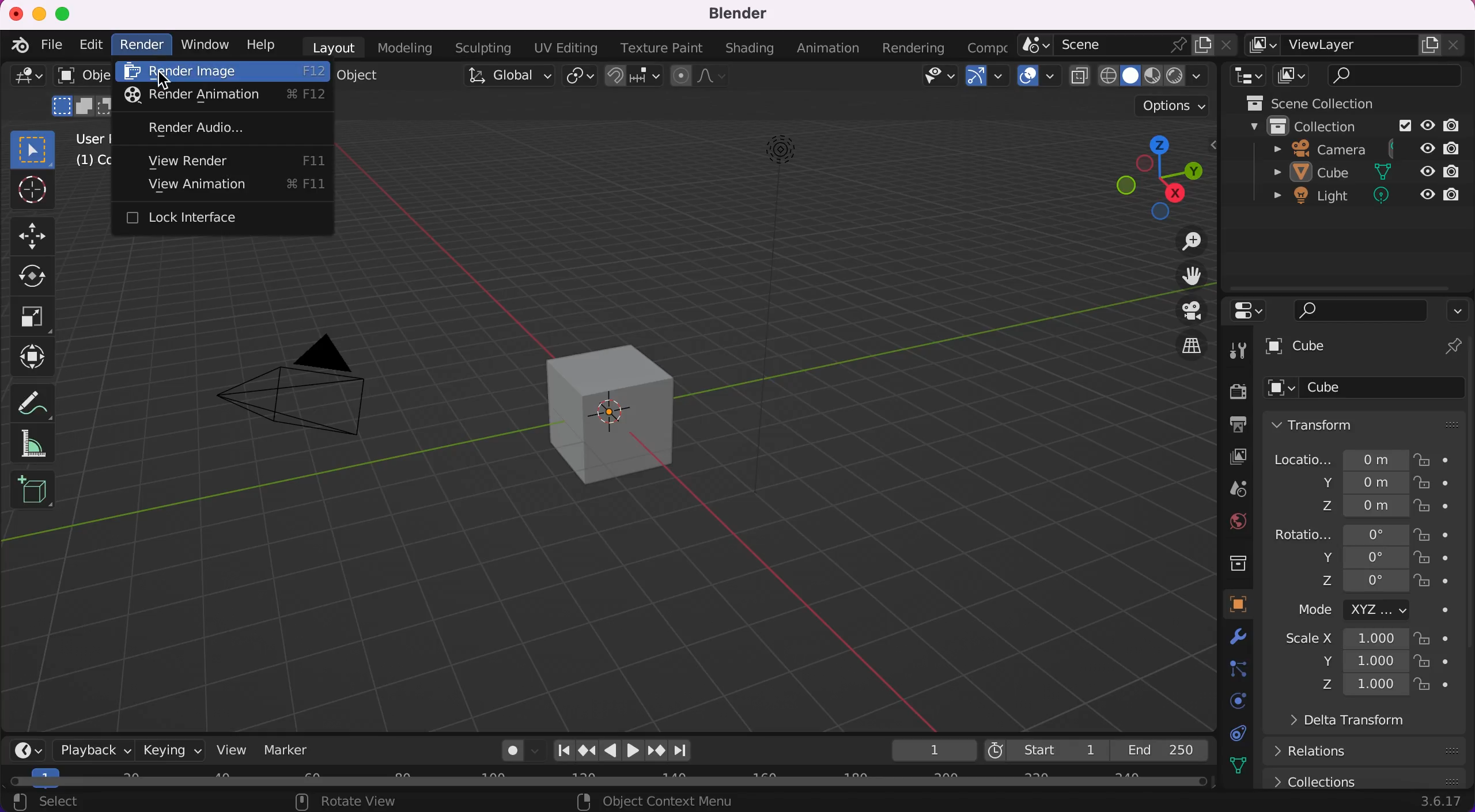 This screenshot has width=1475, height=812. I want to click on horizontal slider, so click(618, 782).